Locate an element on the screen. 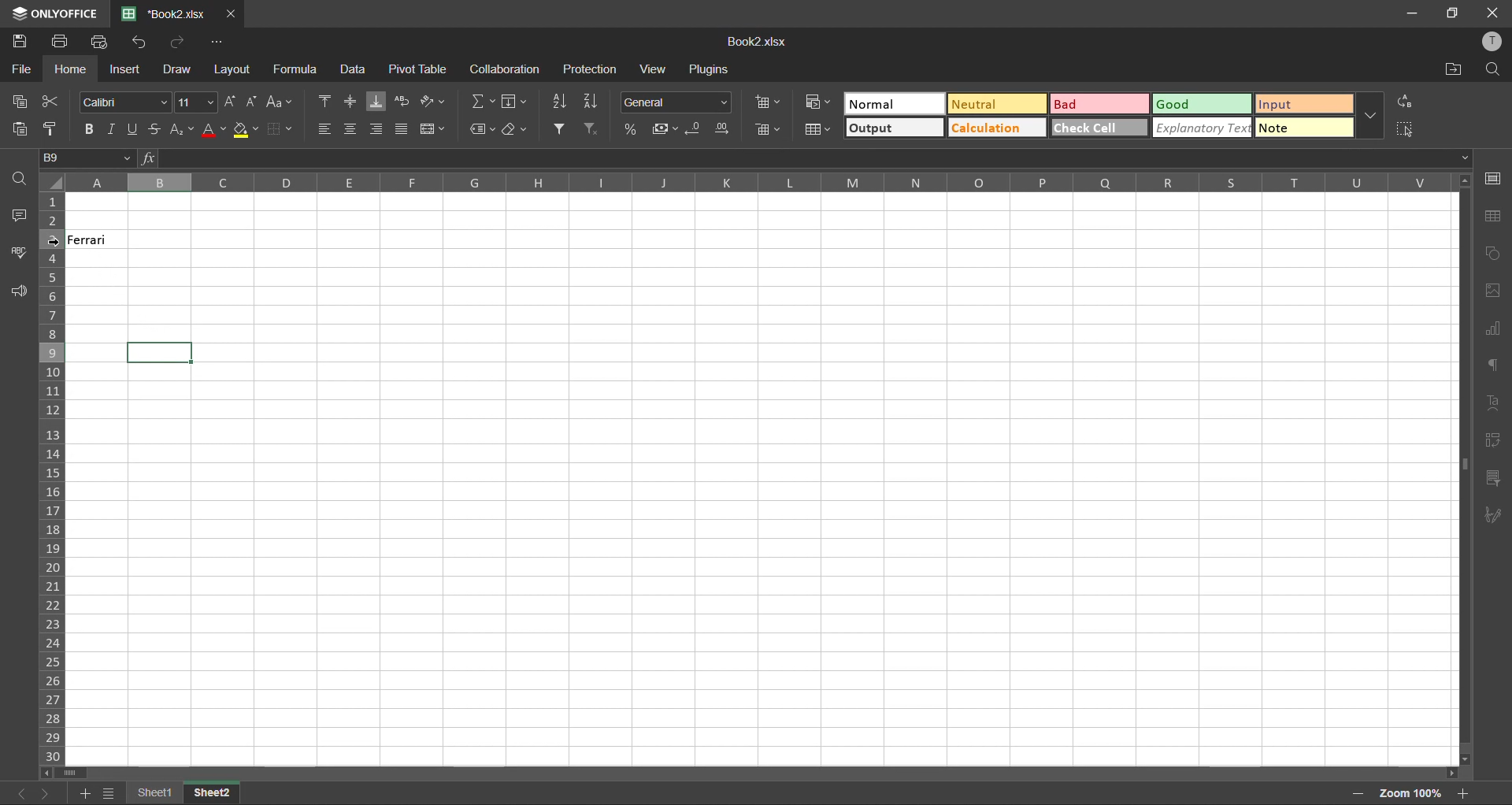  filter is located at coordinates (562, 129).